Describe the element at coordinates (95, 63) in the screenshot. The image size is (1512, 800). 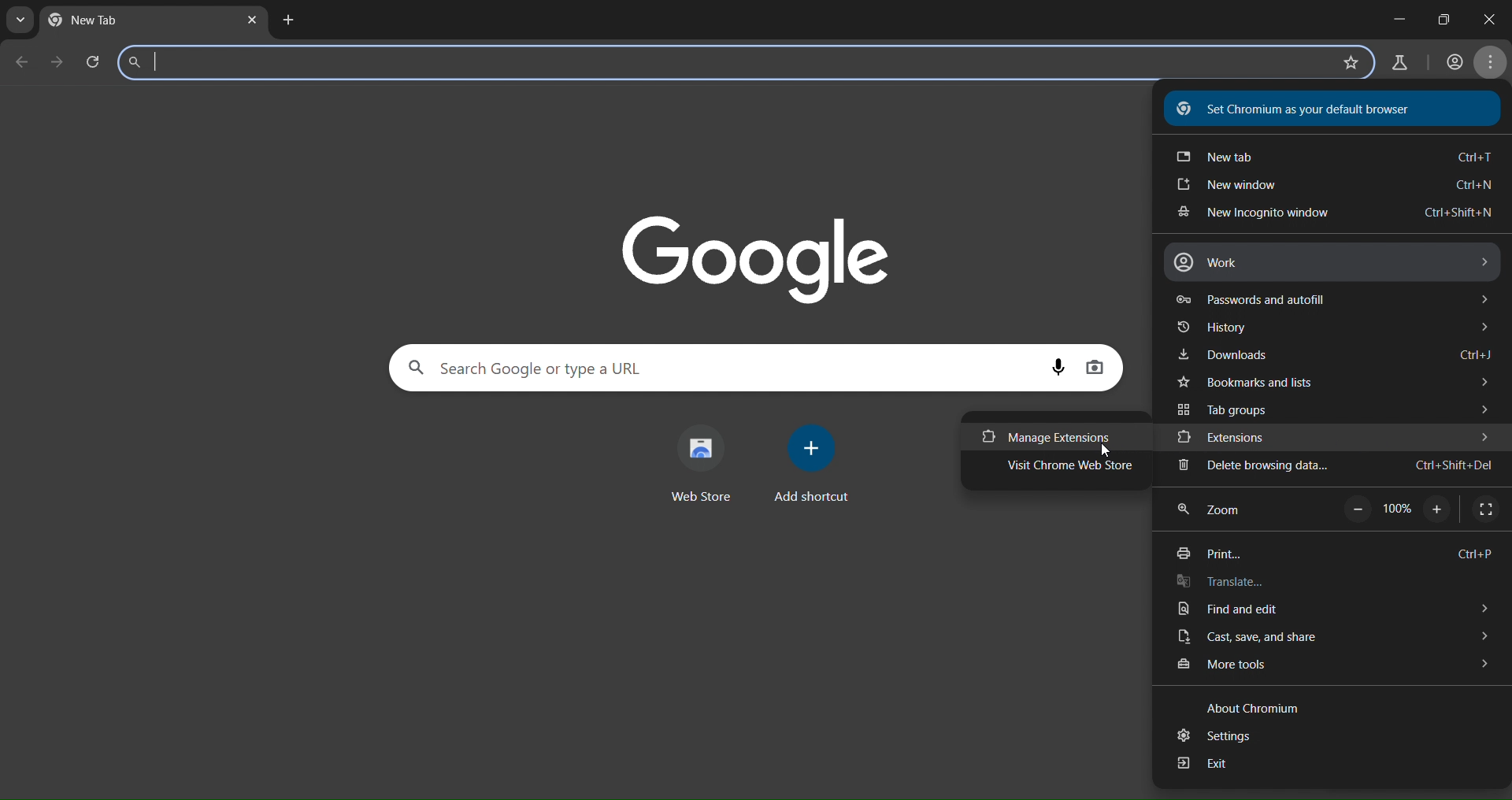
I see `reload page` at that location.